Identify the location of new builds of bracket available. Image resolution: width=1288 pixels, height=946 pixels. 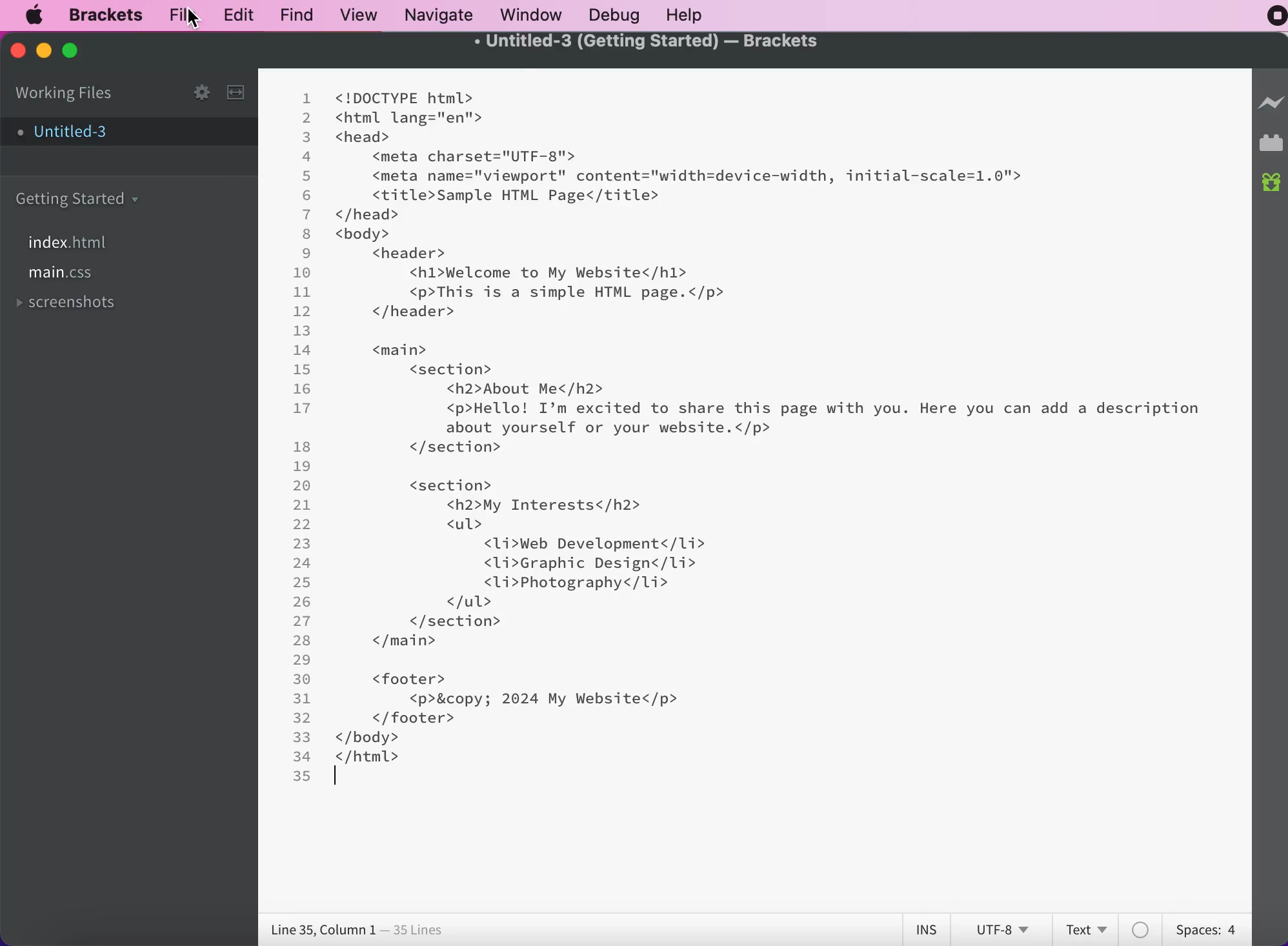
(1269, 180).